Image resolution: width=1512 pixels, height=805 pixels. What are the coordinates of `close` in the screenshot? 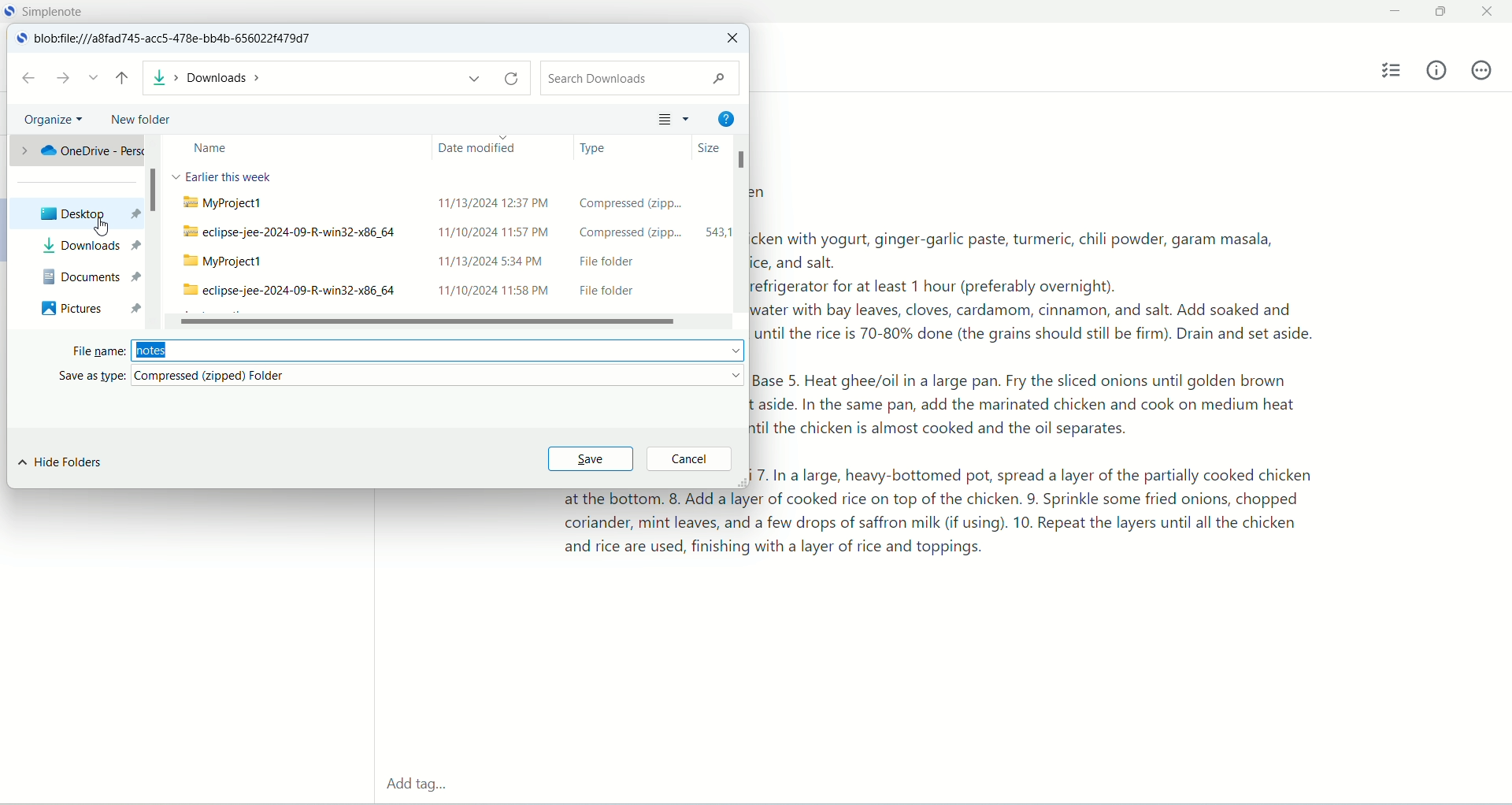 It's located at (731, 39).